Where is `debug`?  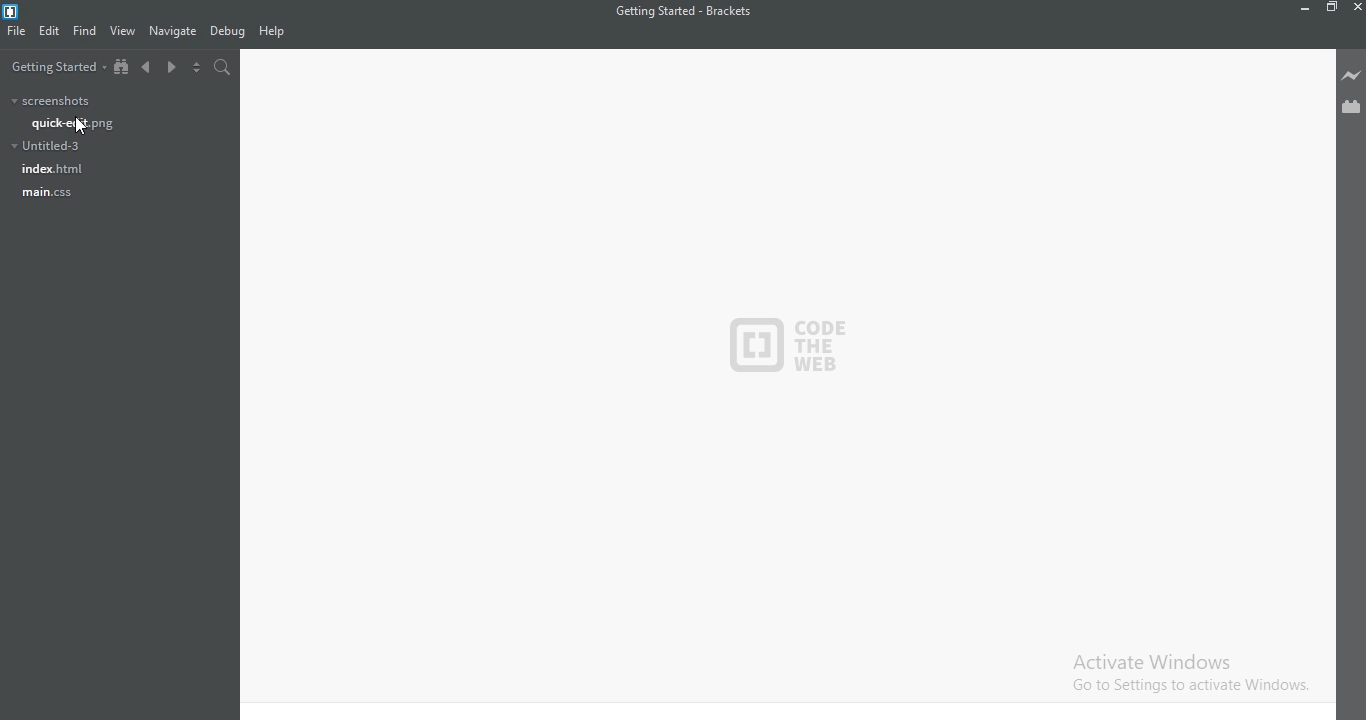
debug is located at coordinates (225, 32).